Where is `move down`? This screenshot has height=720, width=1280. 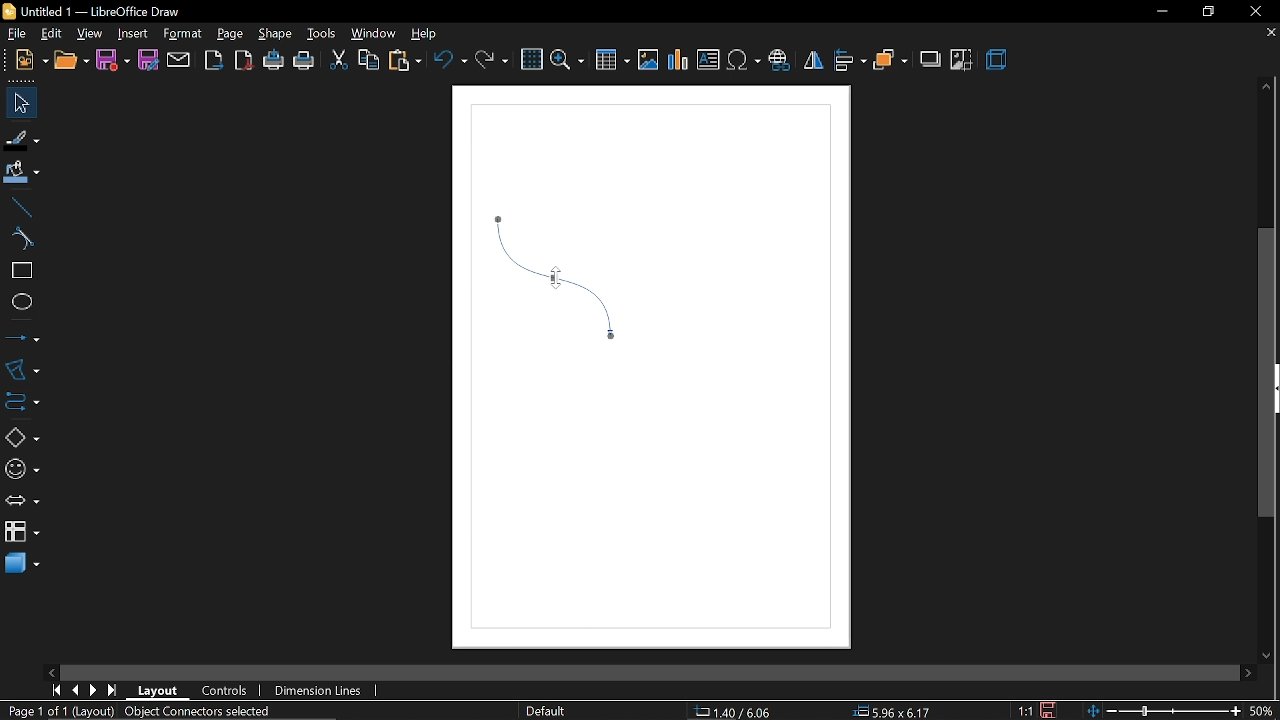 move down is located at coordinates (1269, 653).